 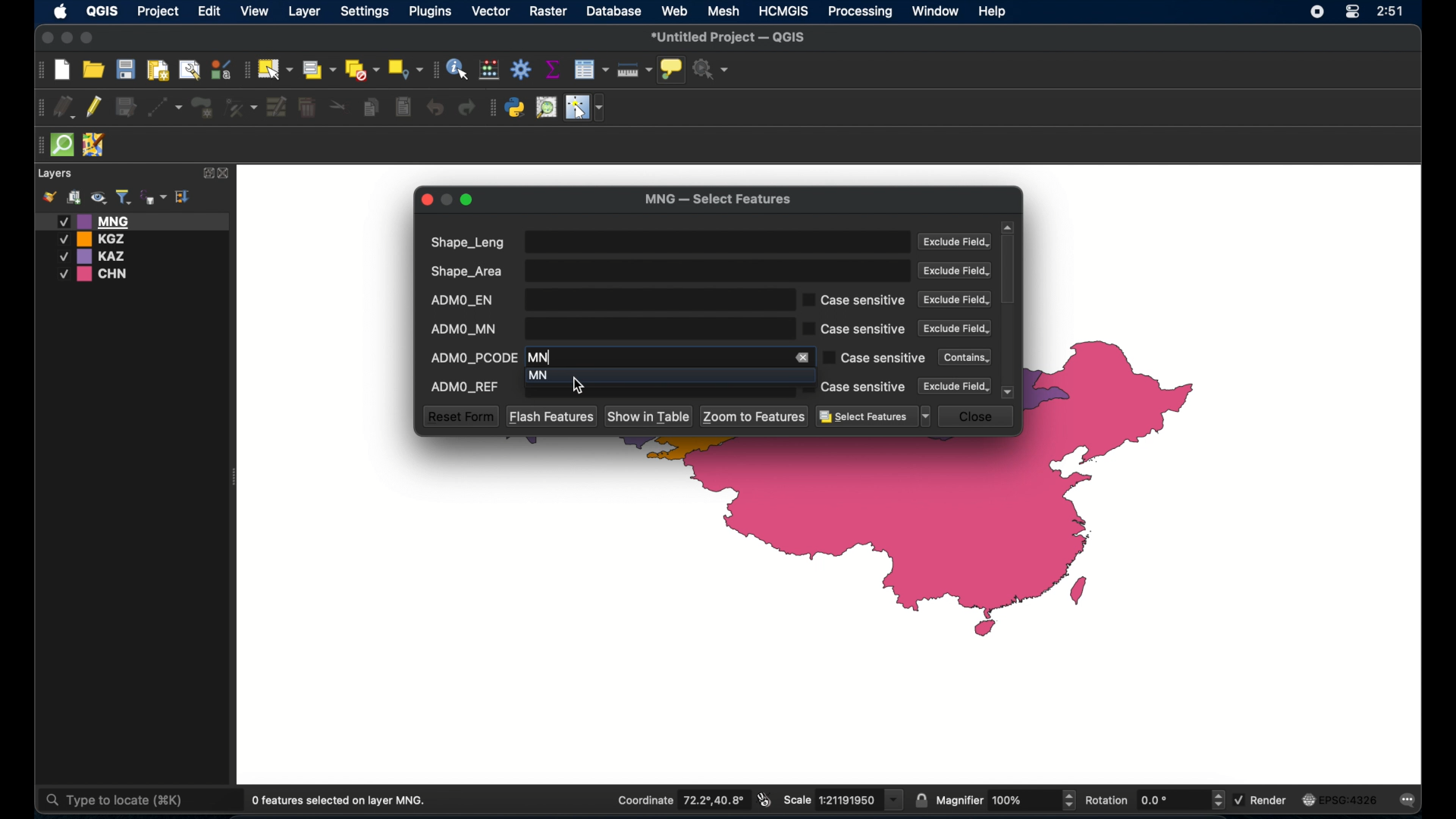 I want to click on jsom remote, so click(x=96, y=146).